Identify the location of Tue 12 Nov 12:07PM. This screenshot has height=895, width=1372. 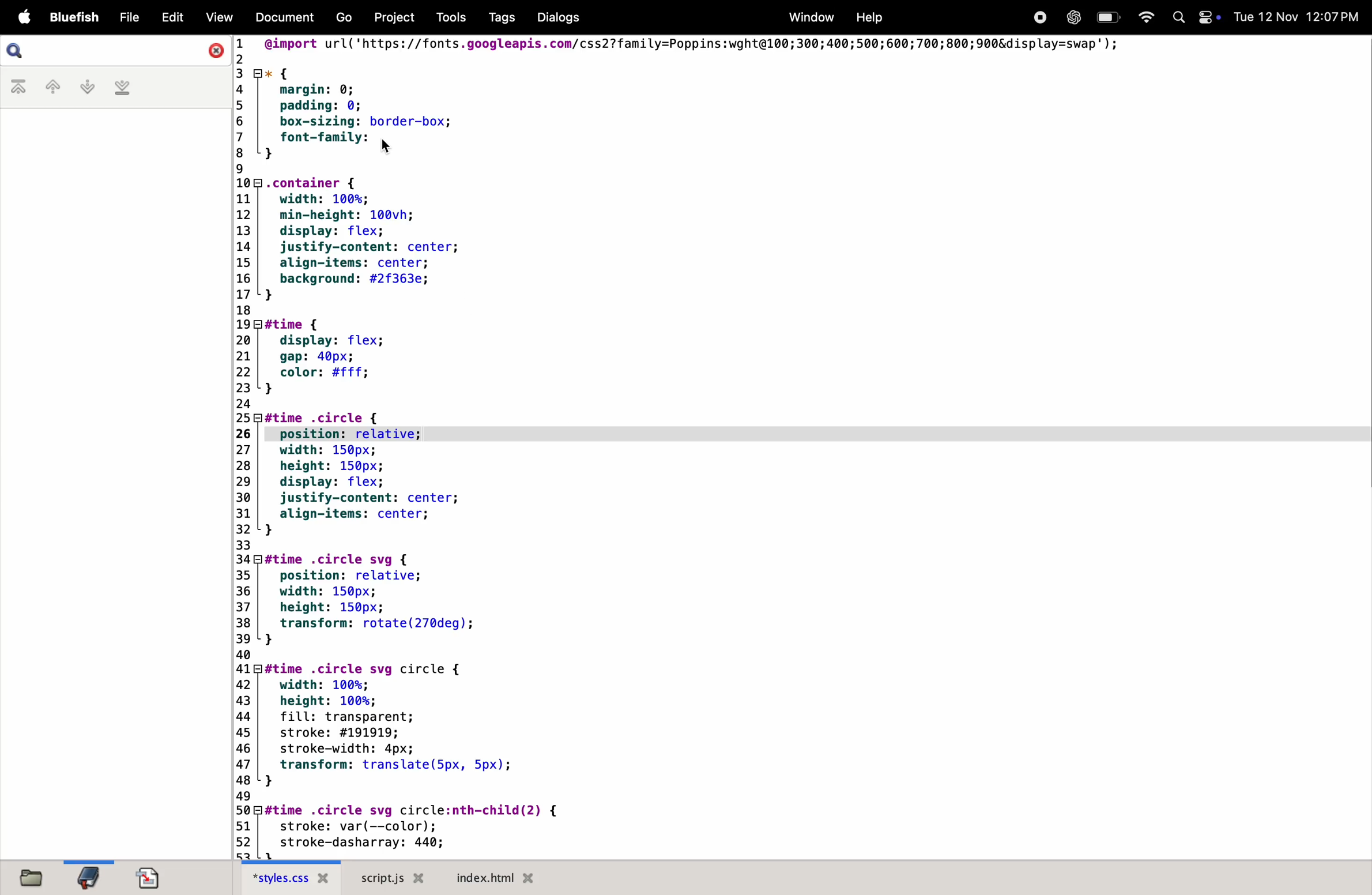
(1298, 17).